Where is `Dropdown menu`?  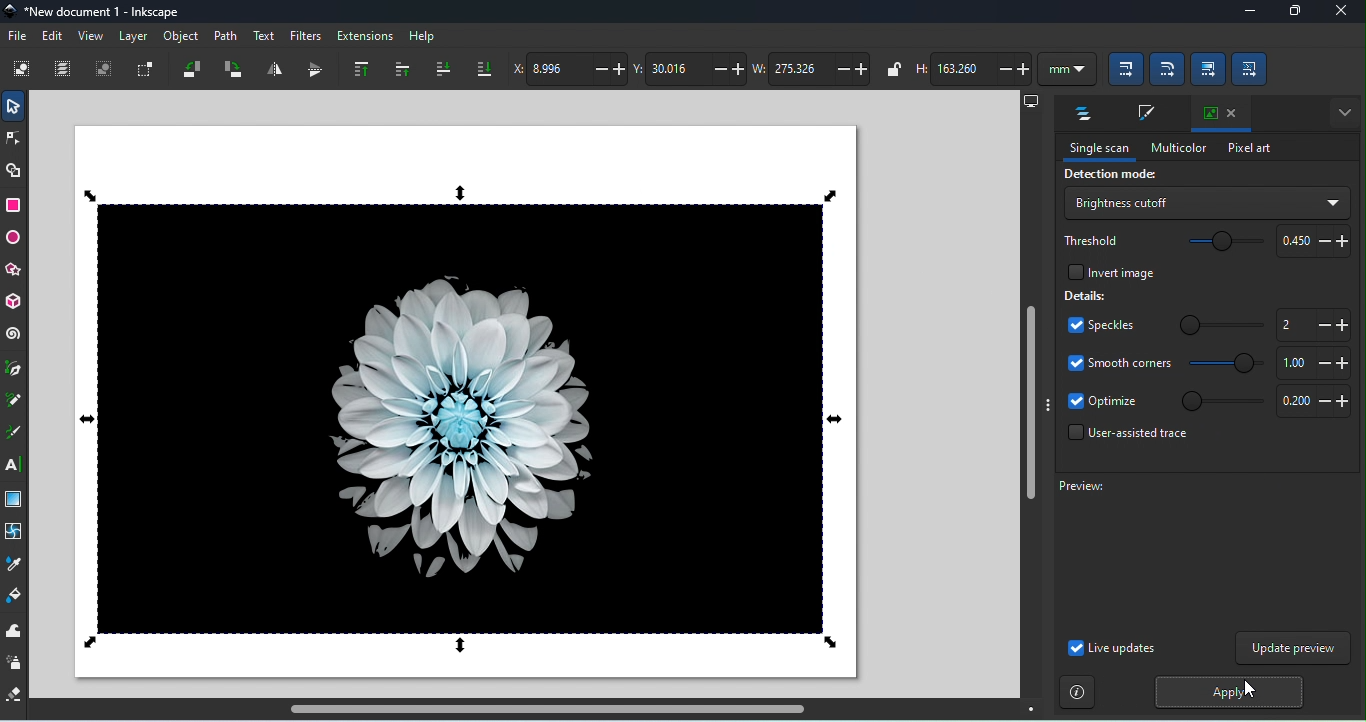 Dropdown menu is located at coordinates (1205, 202).